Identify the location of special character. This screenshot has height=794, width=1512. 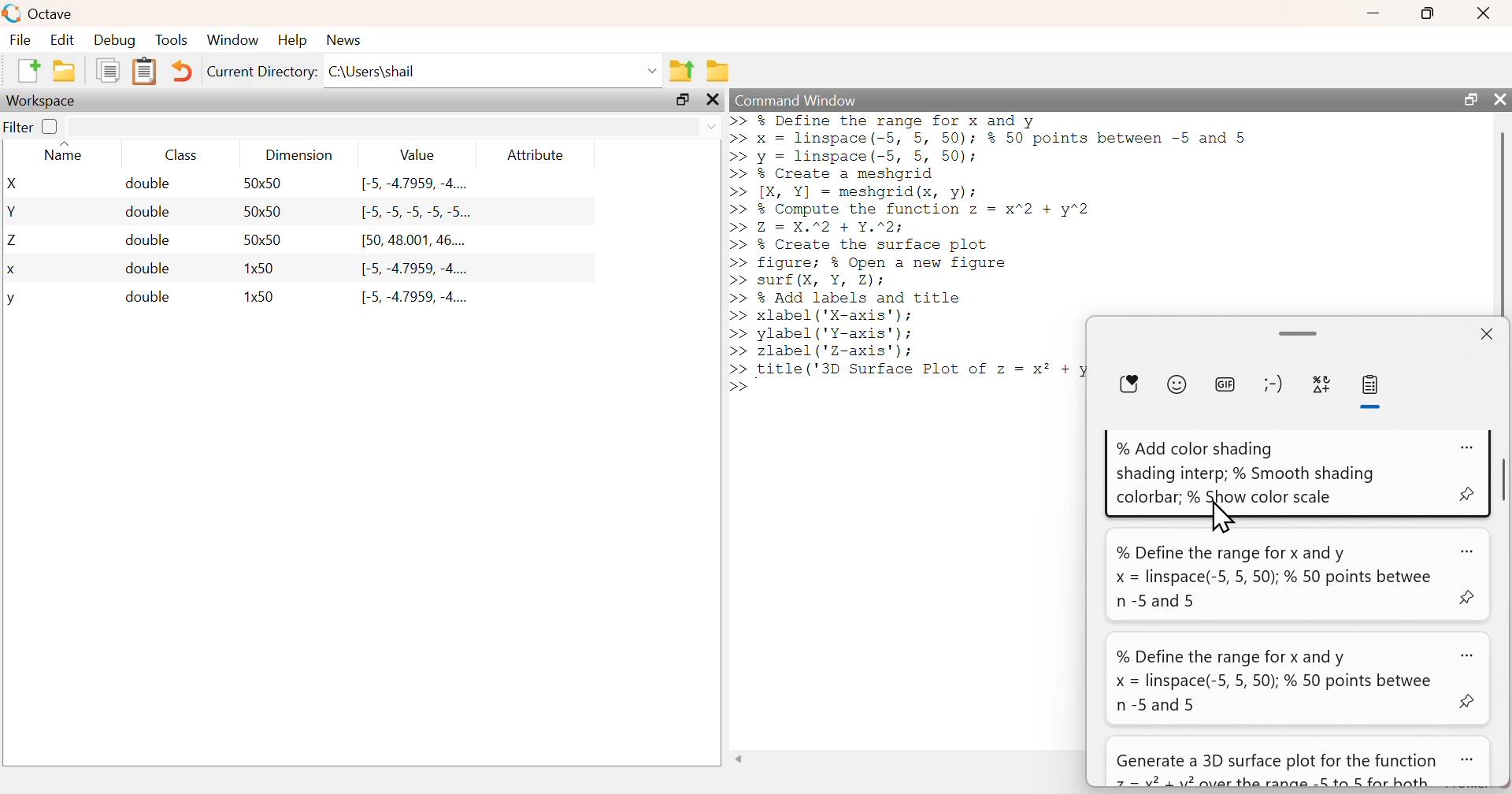
(1322, 387).